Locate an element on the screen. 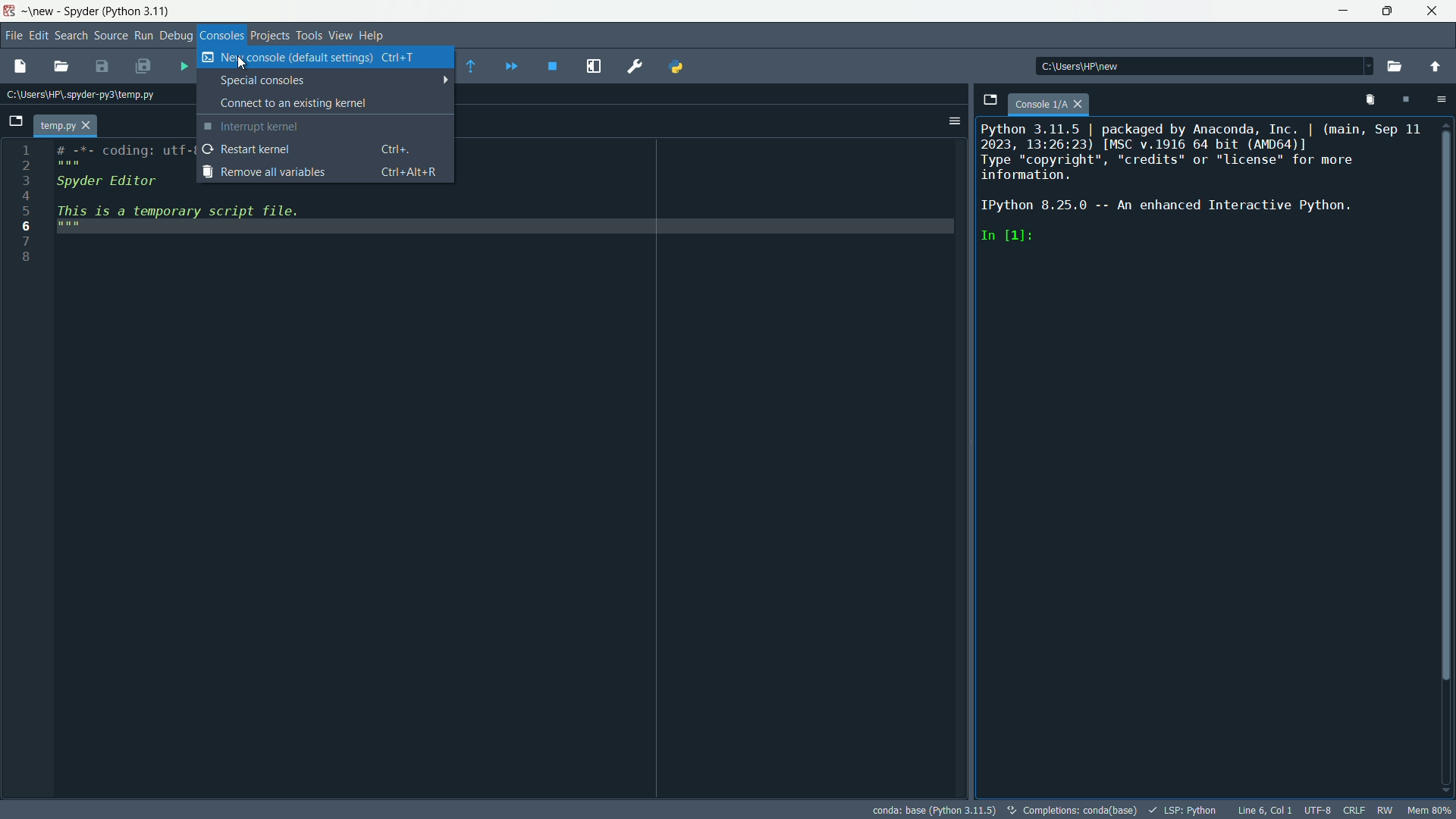 This screenshot has height=819, width=1456. restart kernel is located at coordinates (311, 149).